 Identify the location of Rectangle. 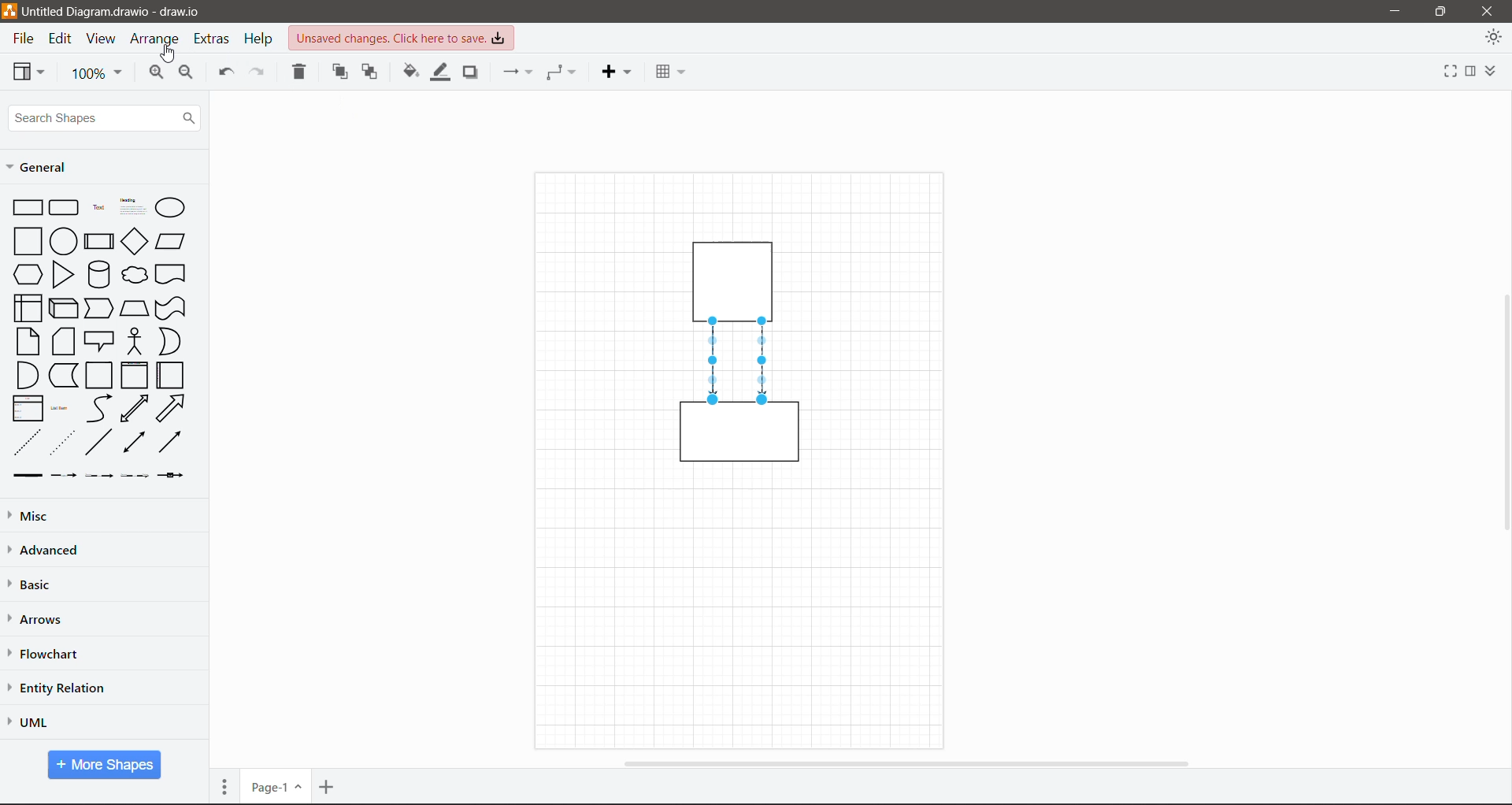
(27, 206).